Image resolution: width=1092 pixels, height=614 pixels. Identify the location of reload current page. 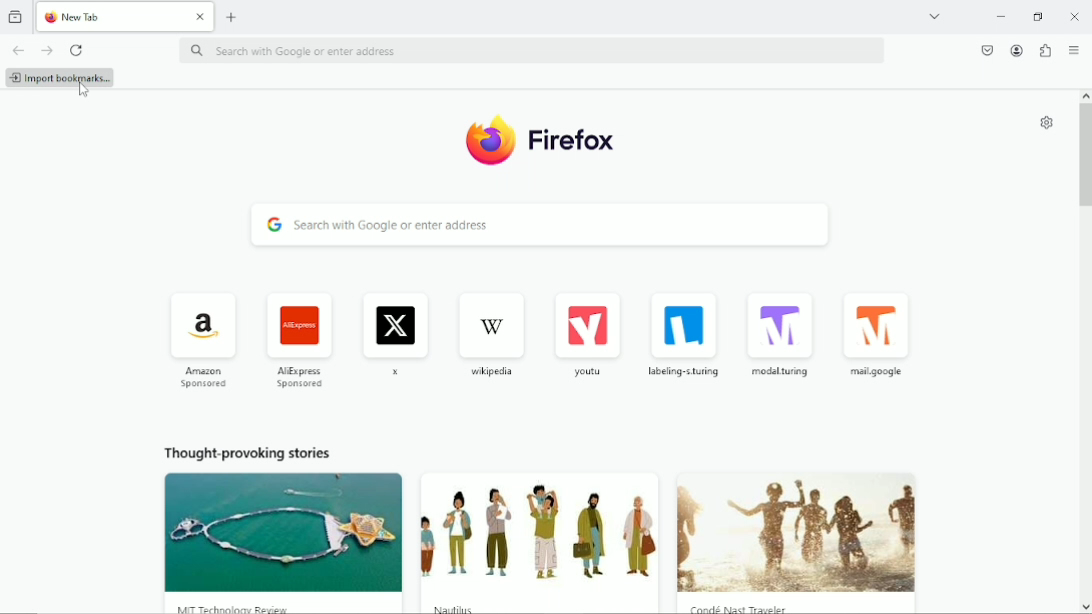
(77, 49).